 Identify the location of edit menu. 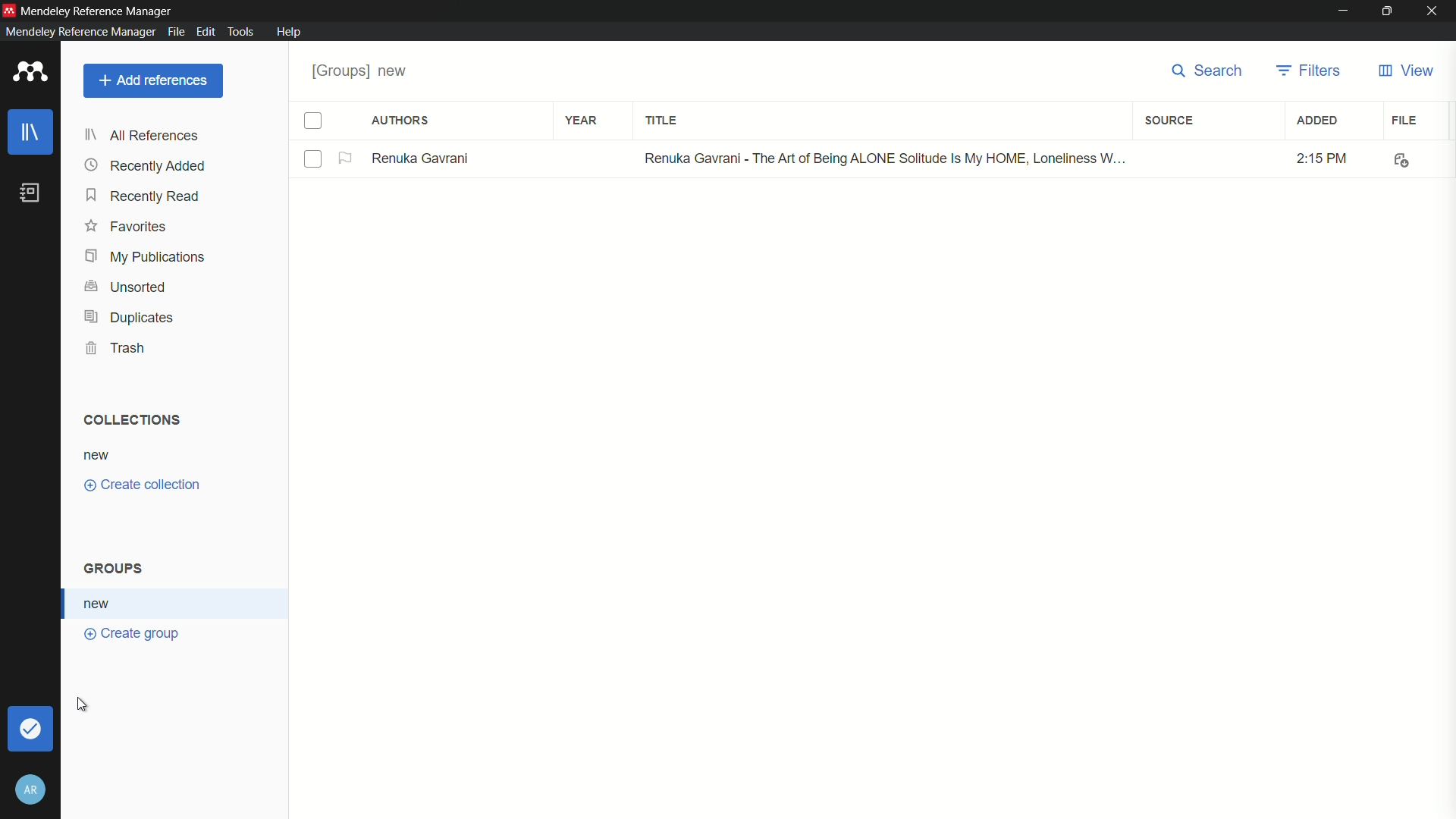
(205, 30).